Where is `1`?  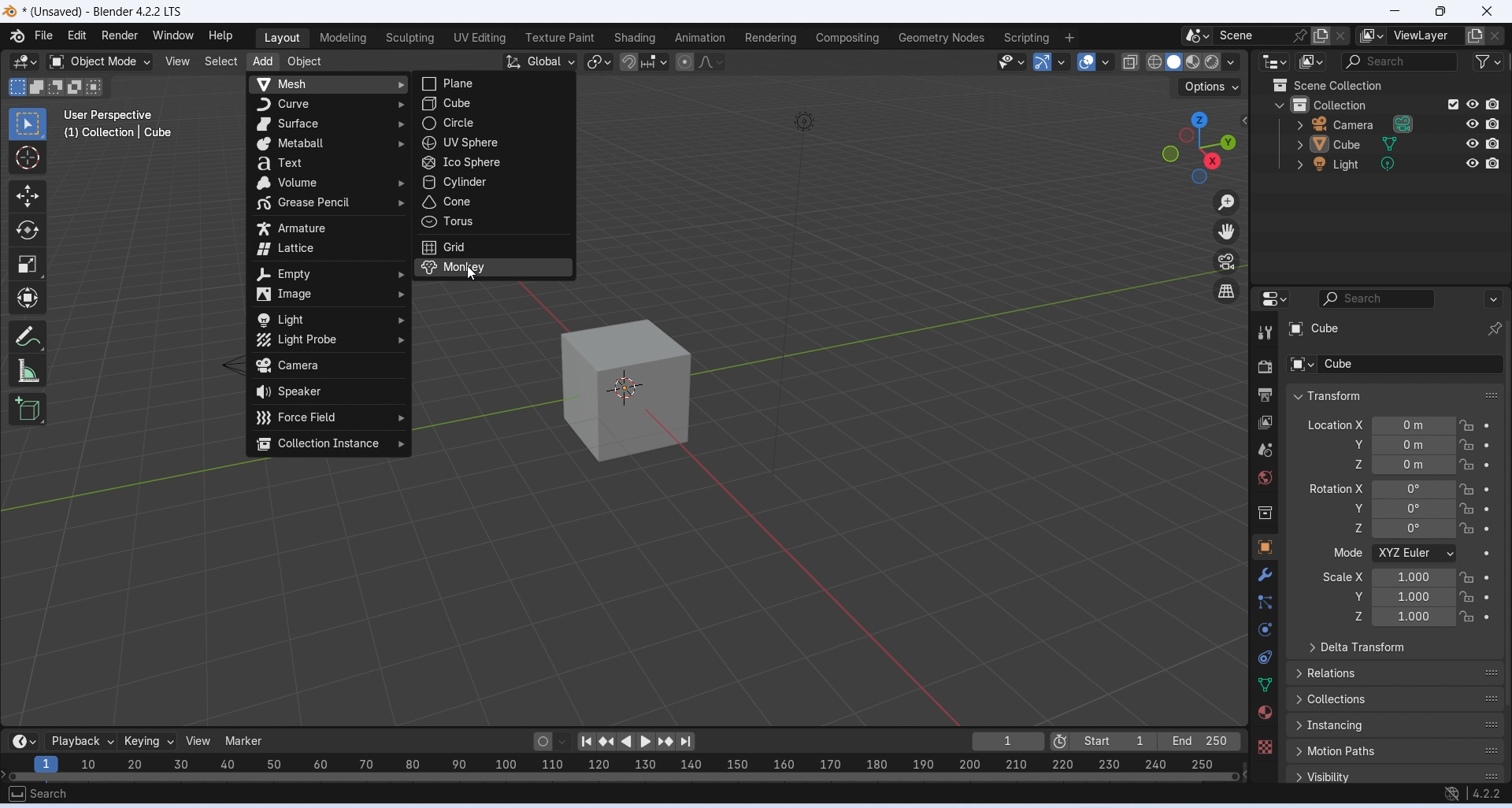 1 is located at coordinates (1009, 741).